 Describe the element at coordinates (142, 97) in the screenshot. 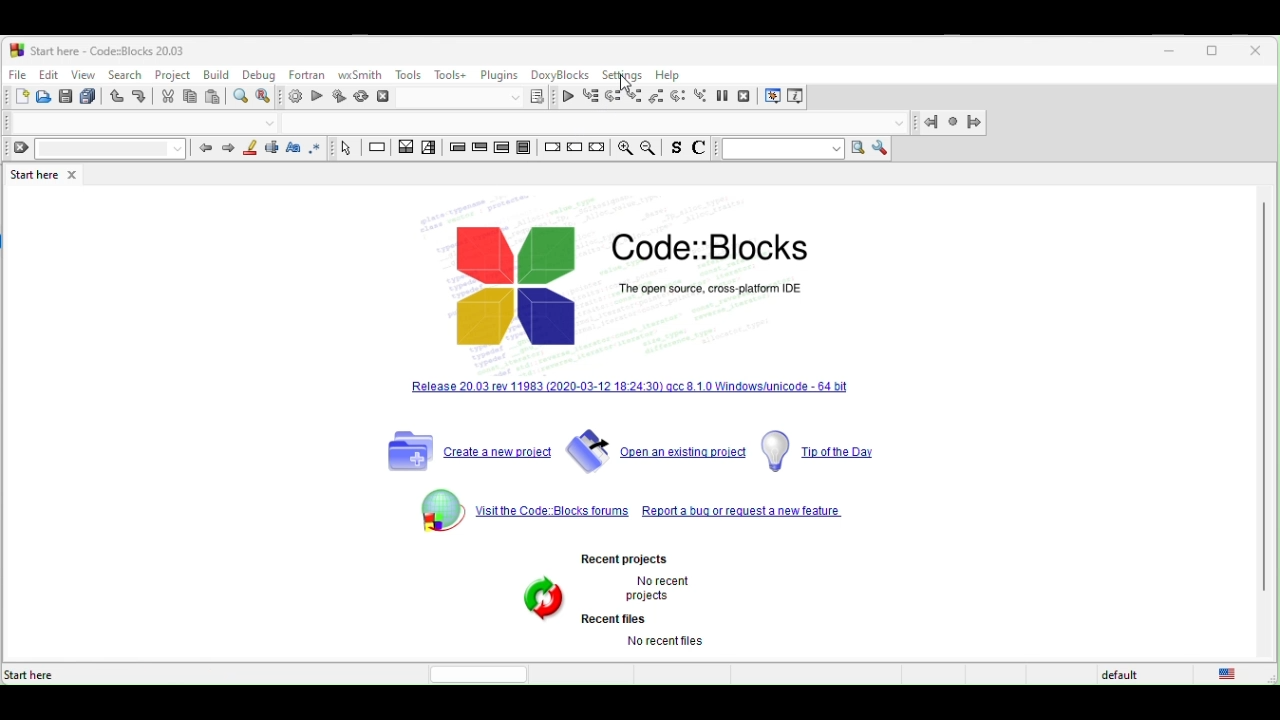

I see `redo` at that location.